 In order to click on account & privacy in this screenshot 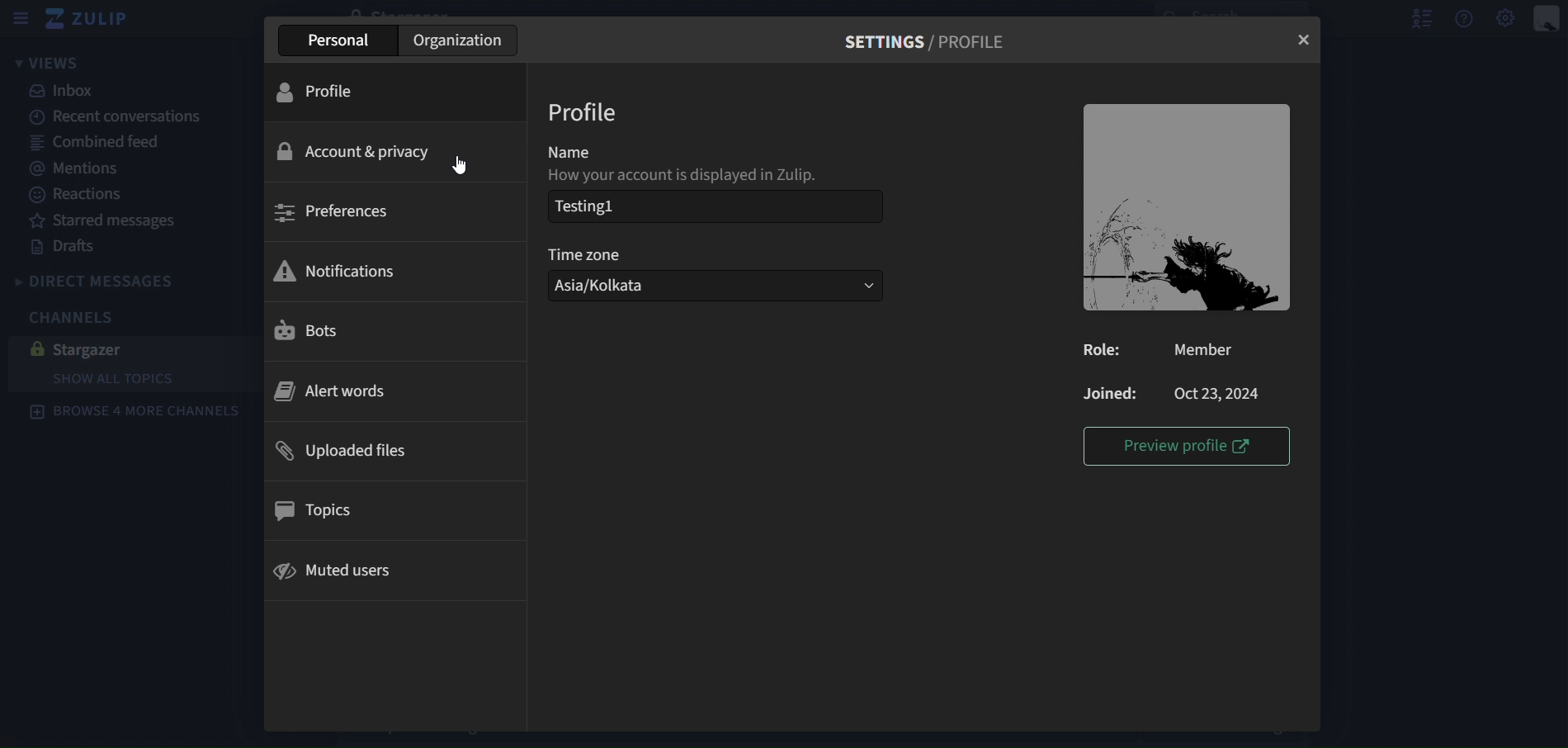, I will do `click(361, 150)`.